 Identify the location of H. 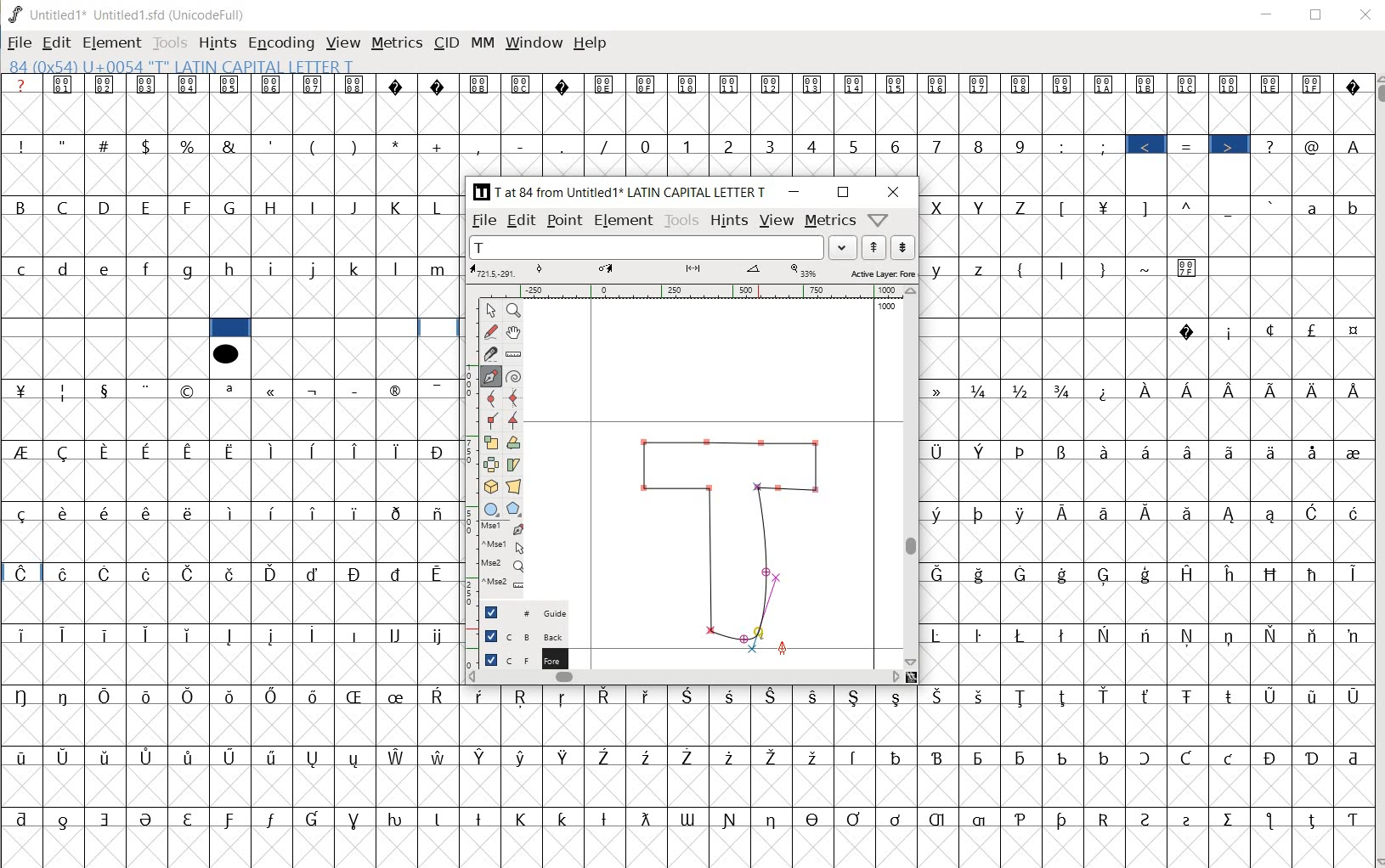
(273, 207).